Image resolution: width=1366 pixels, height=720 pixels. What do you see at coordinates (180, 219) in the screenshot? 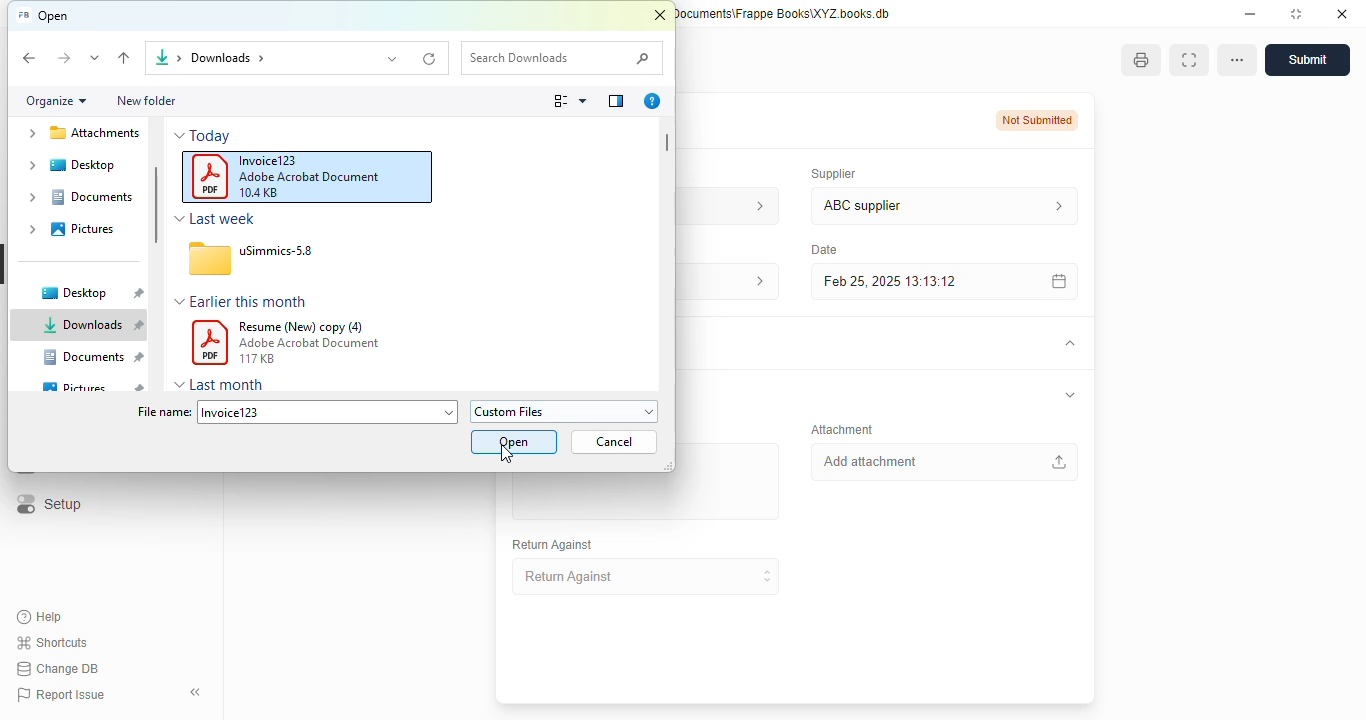
I see `dropdown` at bounding box center [180, 219].